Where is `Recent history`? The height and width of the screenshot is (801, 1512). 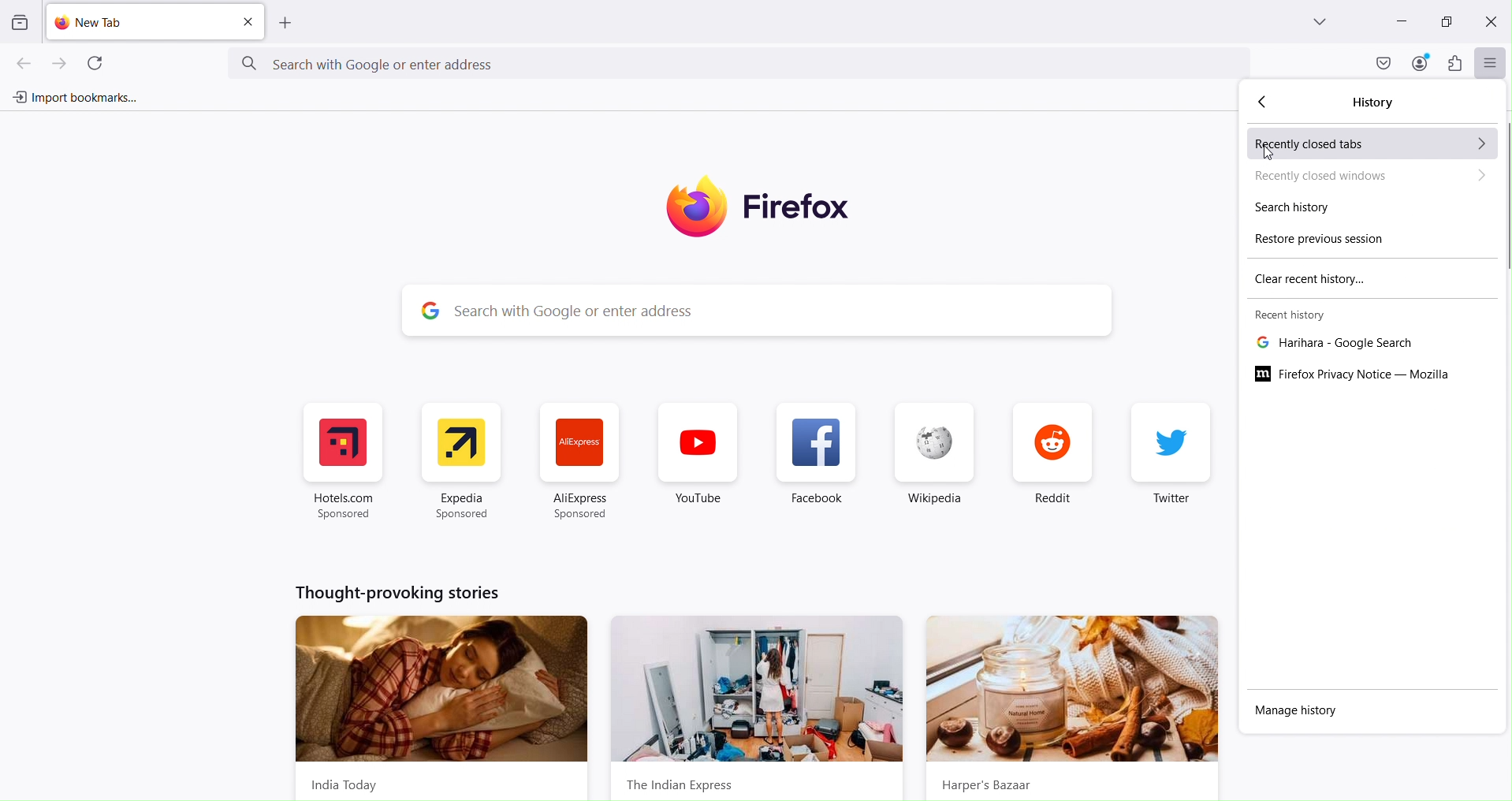 Recent history is located at coordinates (1328, 313).